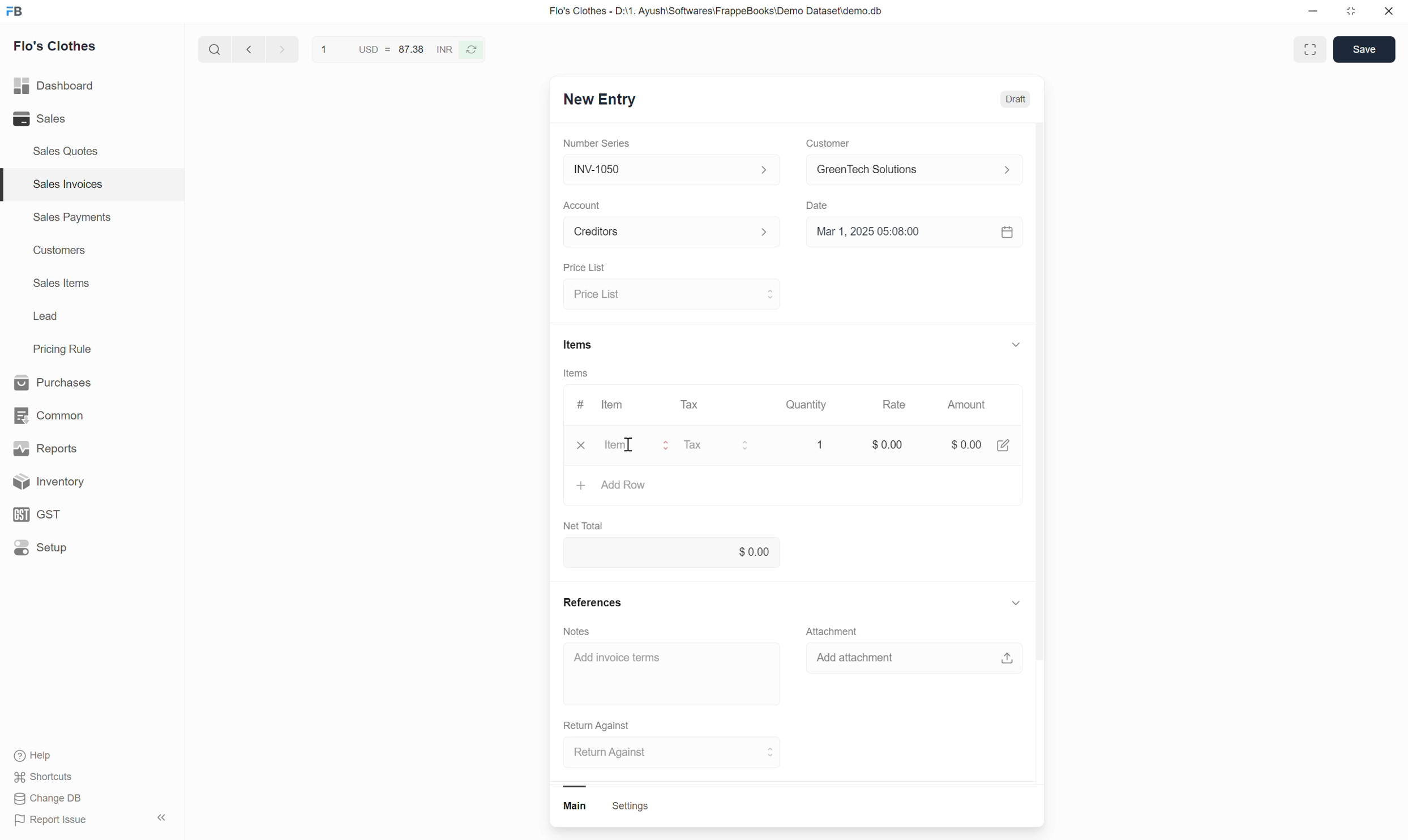 The height and width of the screenshot is (840, 1408). I want to click on Change DB, so click(50, 800).